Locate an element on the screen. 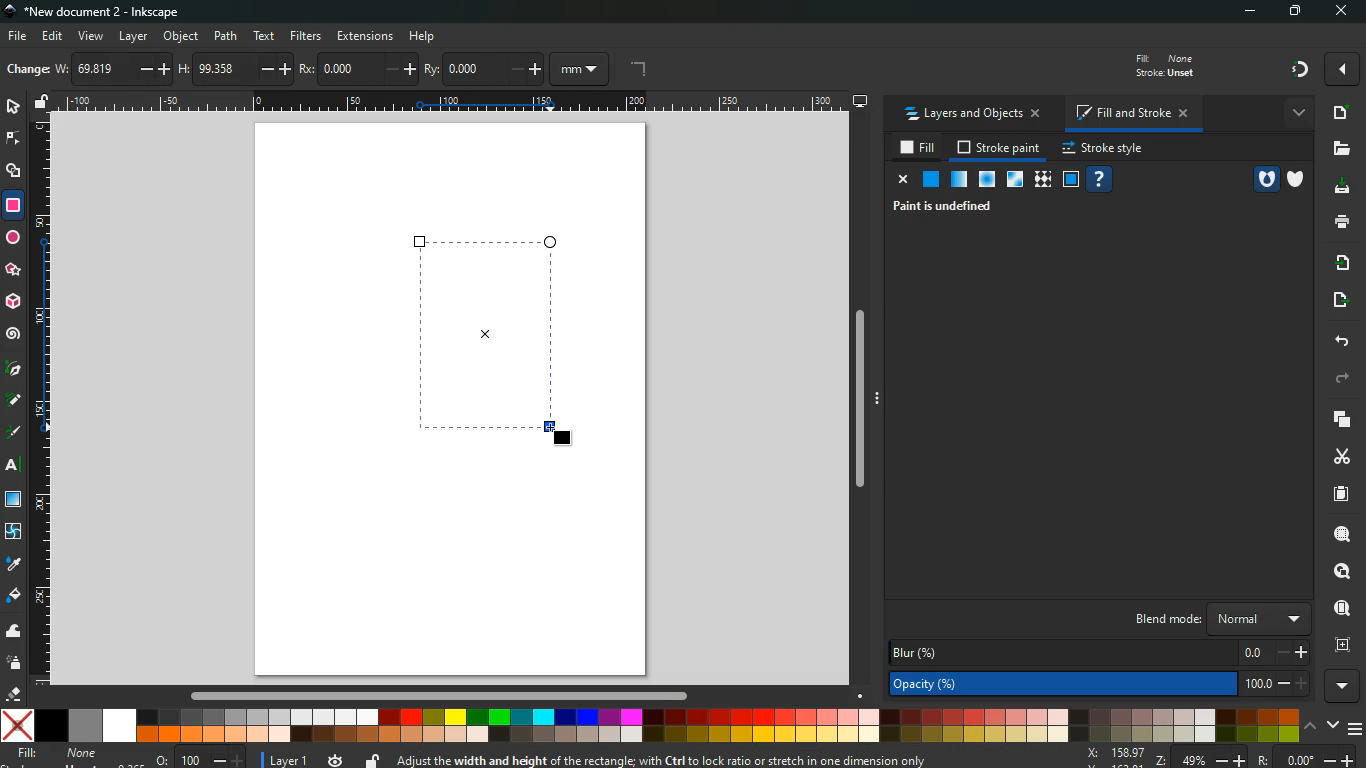 The image size is (1366, 768). extensions is located at coordinates (365, 36).